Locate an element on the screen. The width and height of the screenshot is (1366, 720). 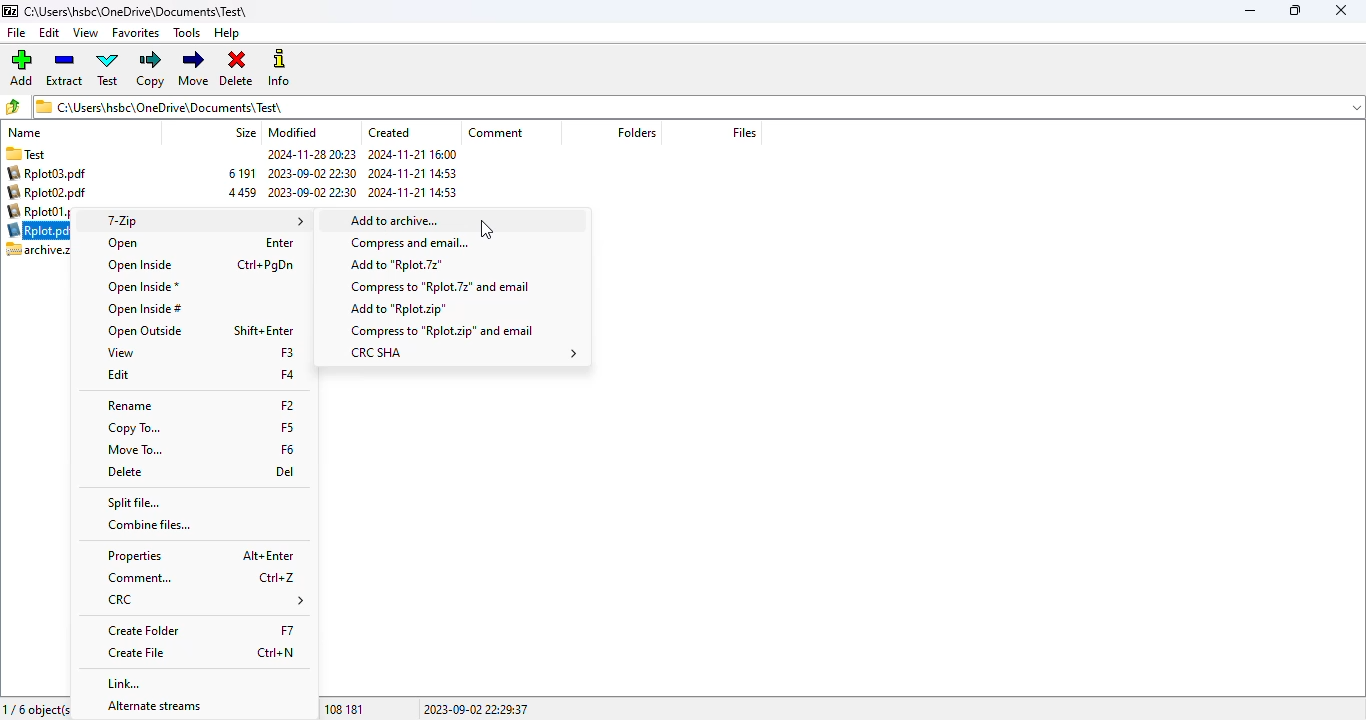
favorites is located at coordinates (137, 33).